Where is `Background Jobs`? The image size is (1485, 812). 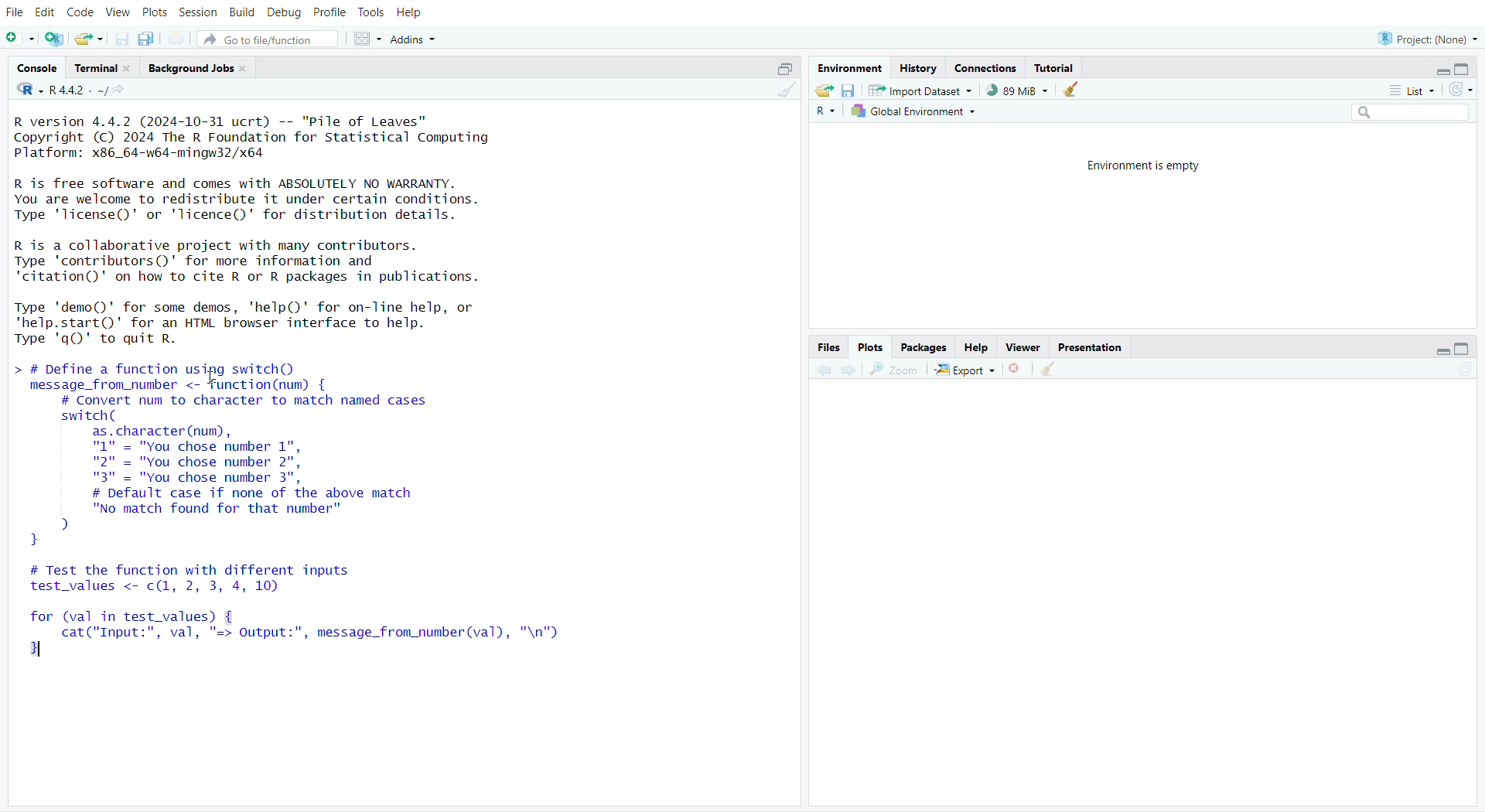
Background Jobs is located at coordinates (198, 65).